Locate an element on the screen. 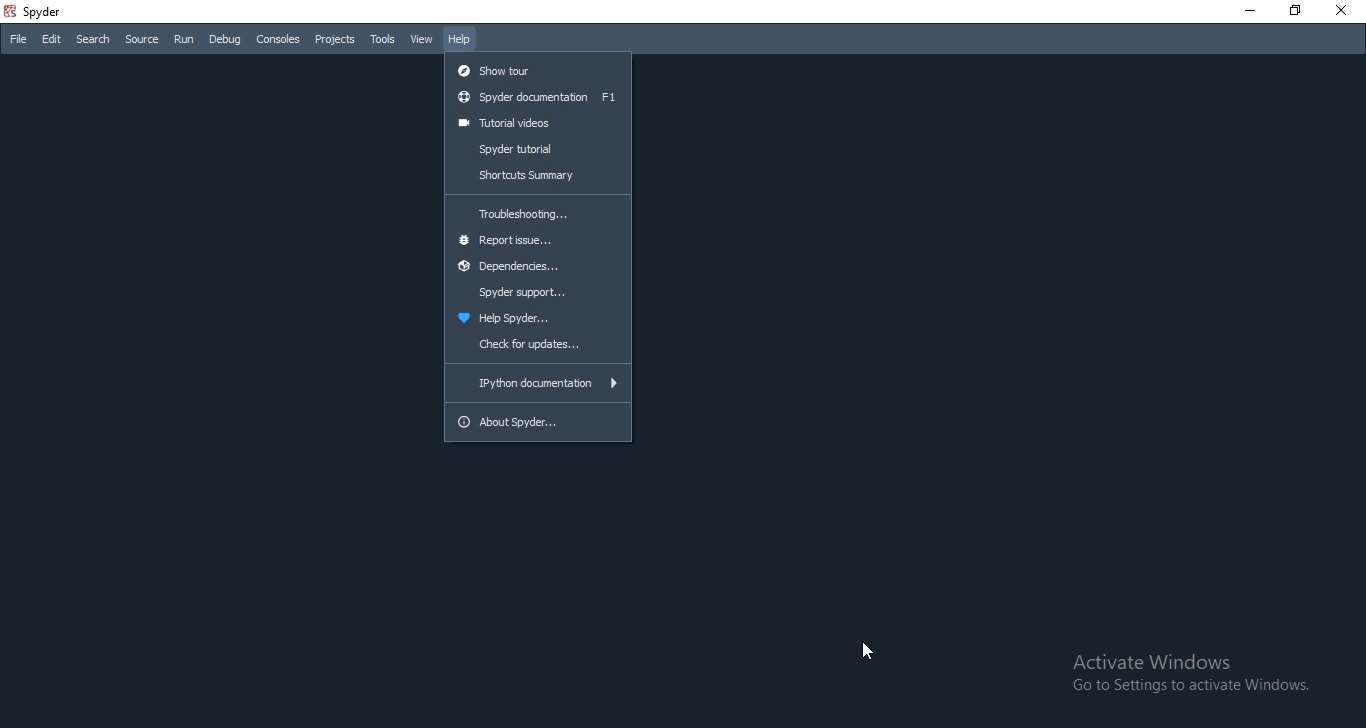 The image size is (1366, 728). Minimise is located at coordinates (1250, 11).